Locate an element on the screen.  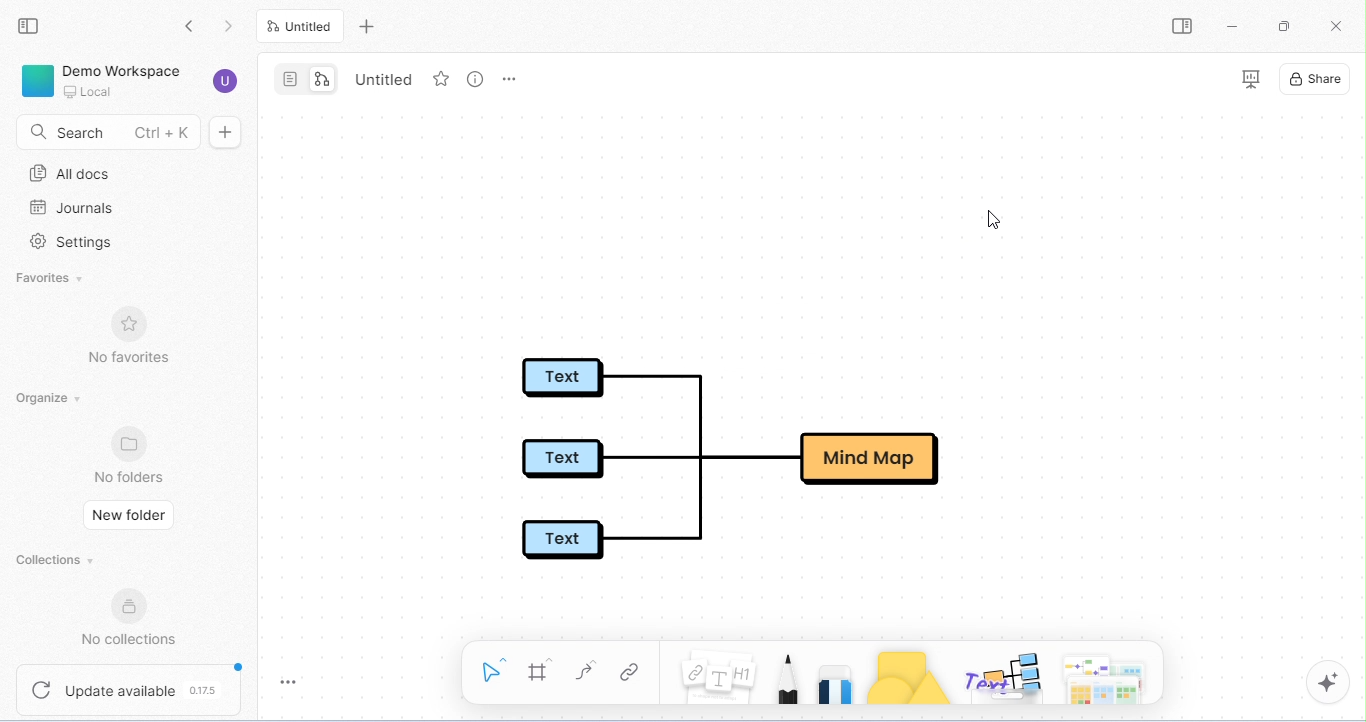
select is located at coordinates (490, 671).